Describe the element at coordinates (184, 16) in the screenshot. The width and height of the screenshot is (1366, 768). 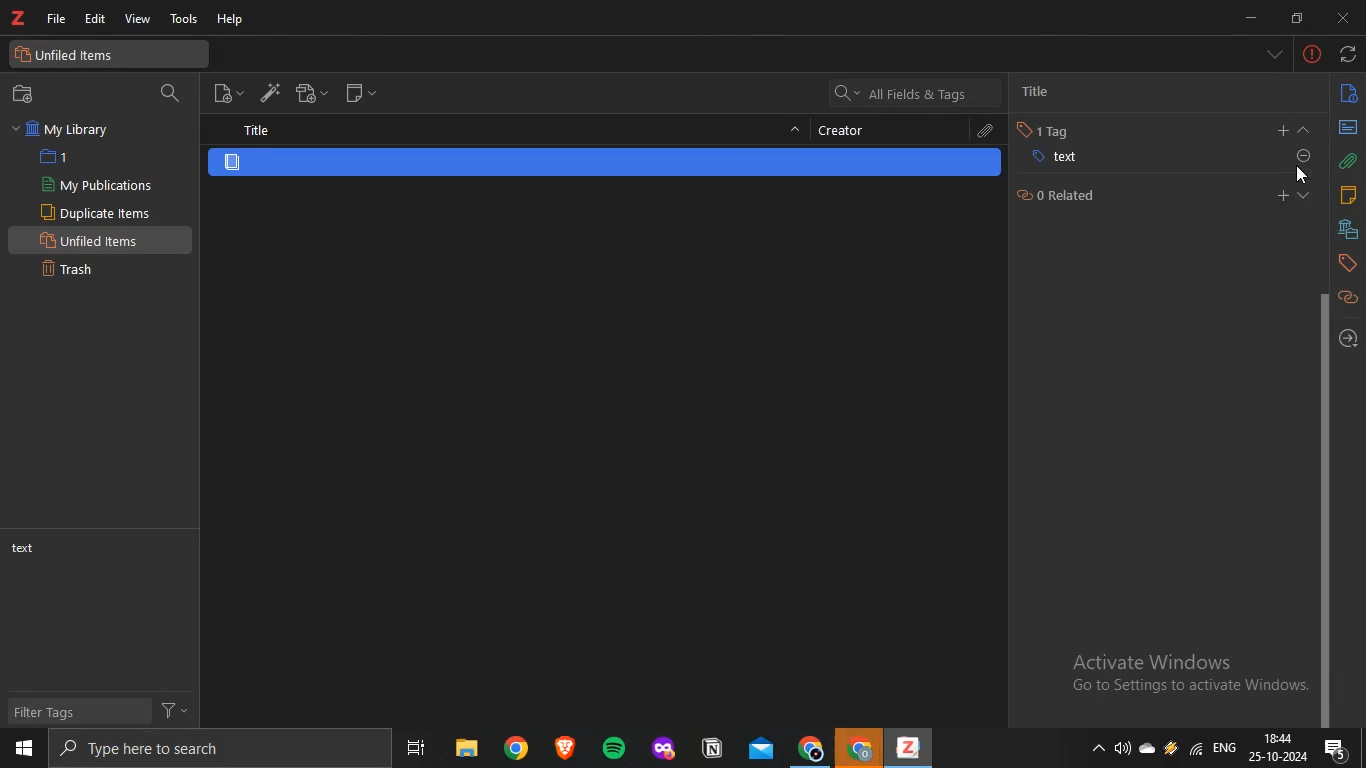
I see `tools` at that location.